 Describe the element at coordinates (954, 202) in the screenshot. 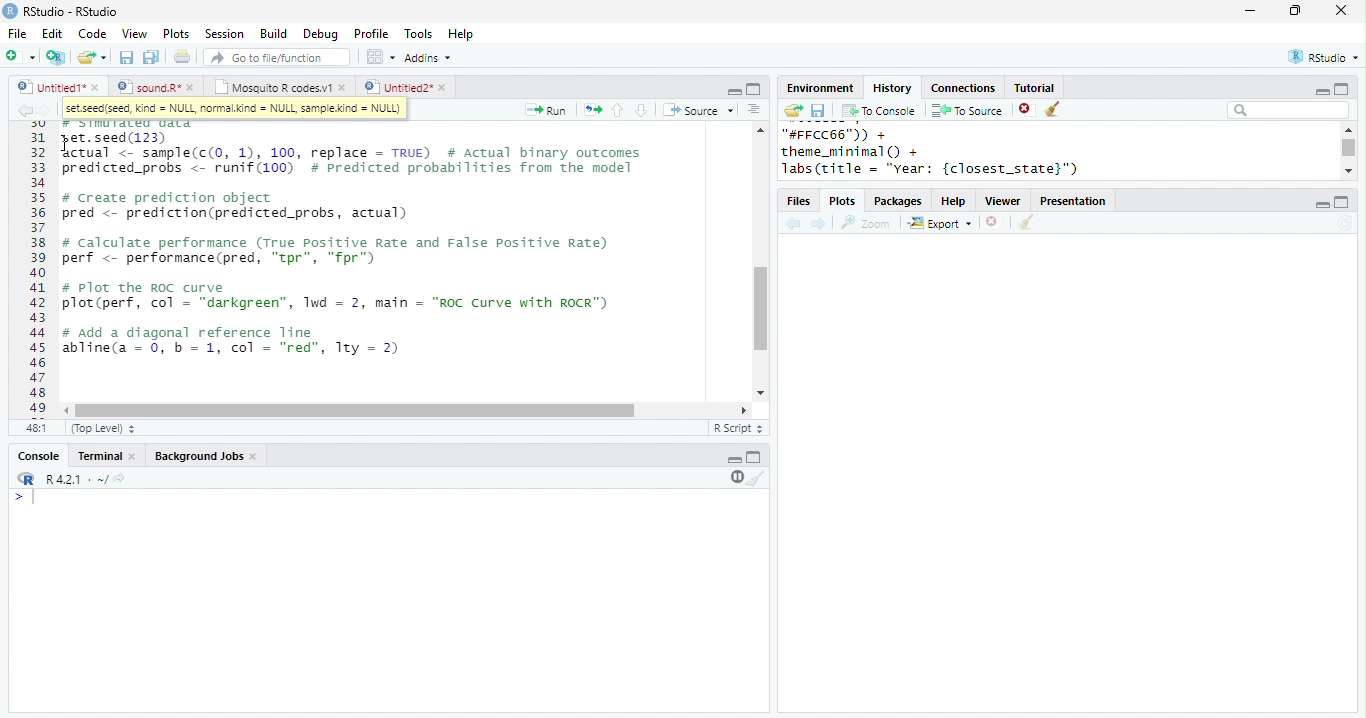

I see `help` at that location.